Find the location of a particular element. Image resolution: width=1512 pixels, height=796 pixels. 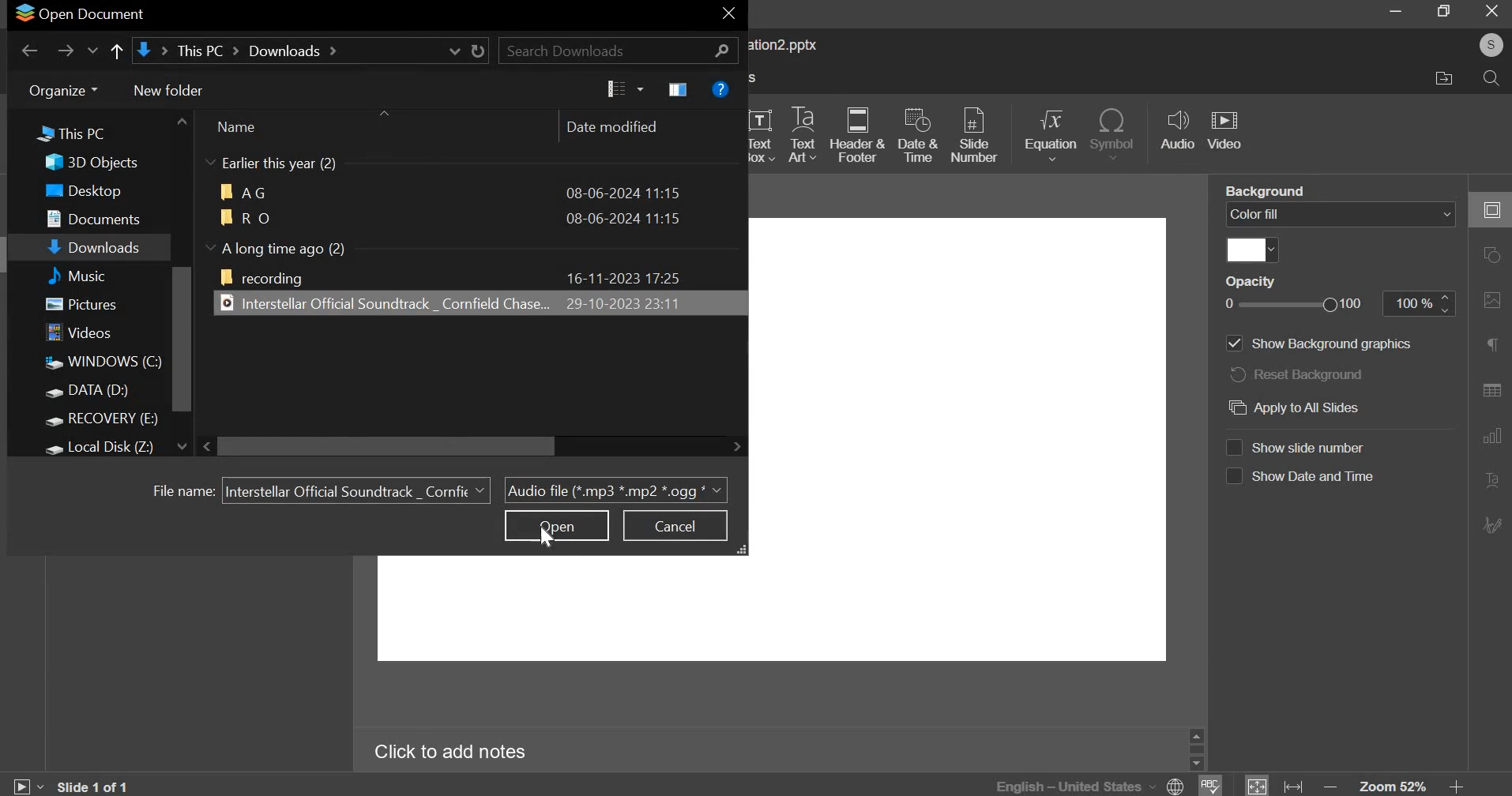

change your view is located at coordinates (623, 89).